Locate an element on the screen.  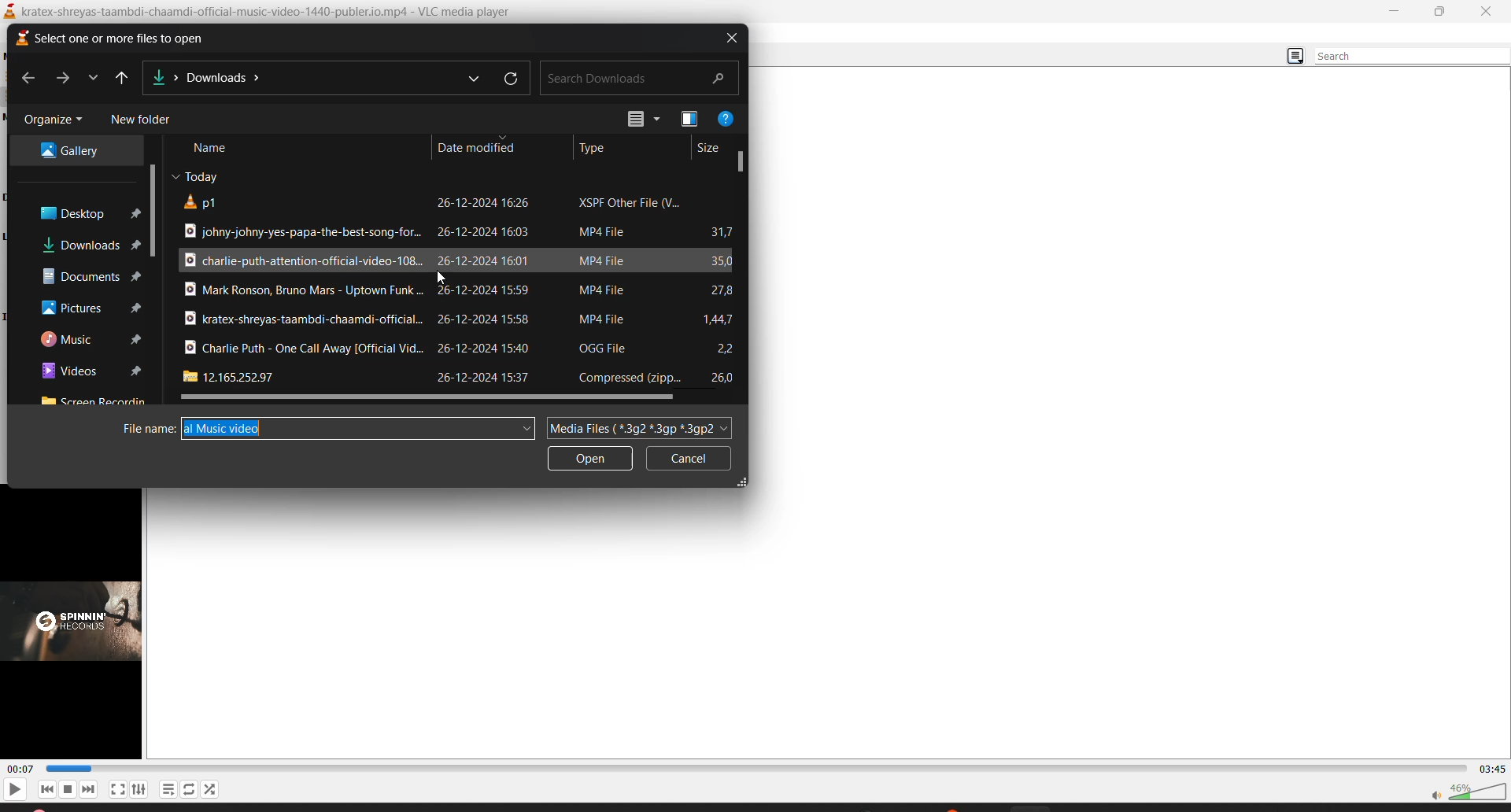
current track time is located at coordinates (24, 770).